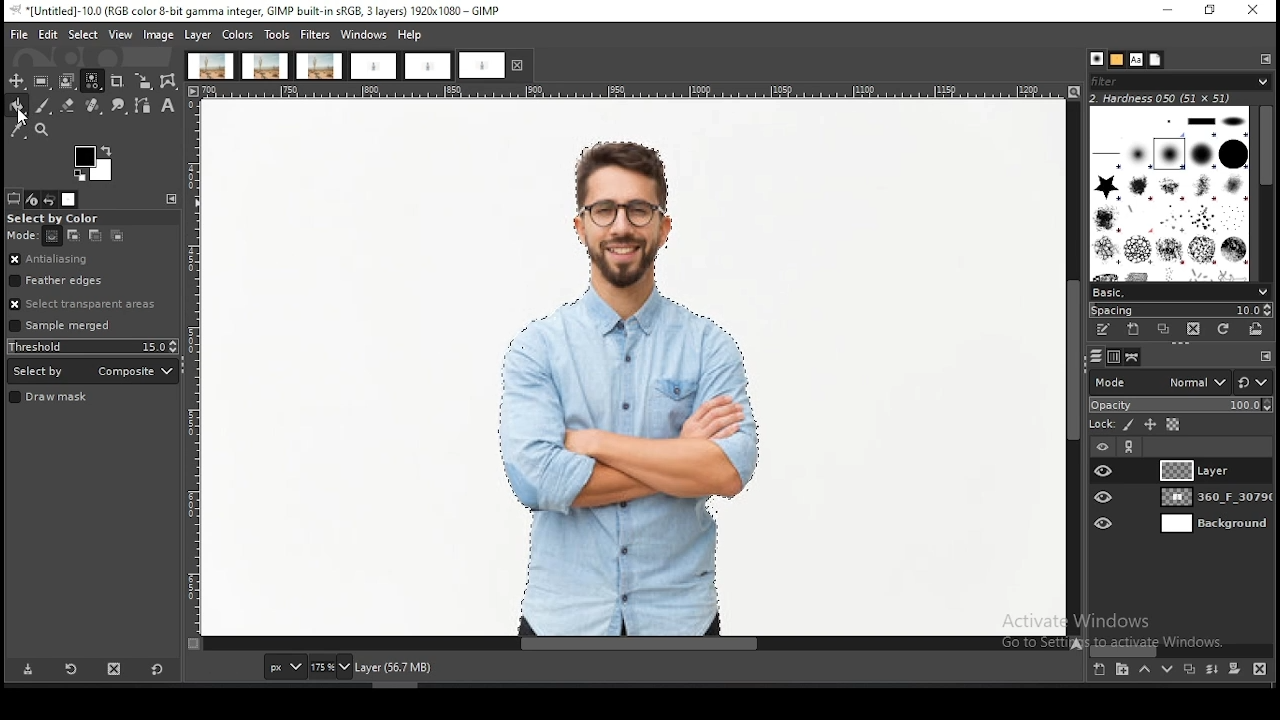 This screenshot has width=1280, height=720. Describe the element at coordinates (1212, 668) in the screenshot. I see `merge layers` at that location.